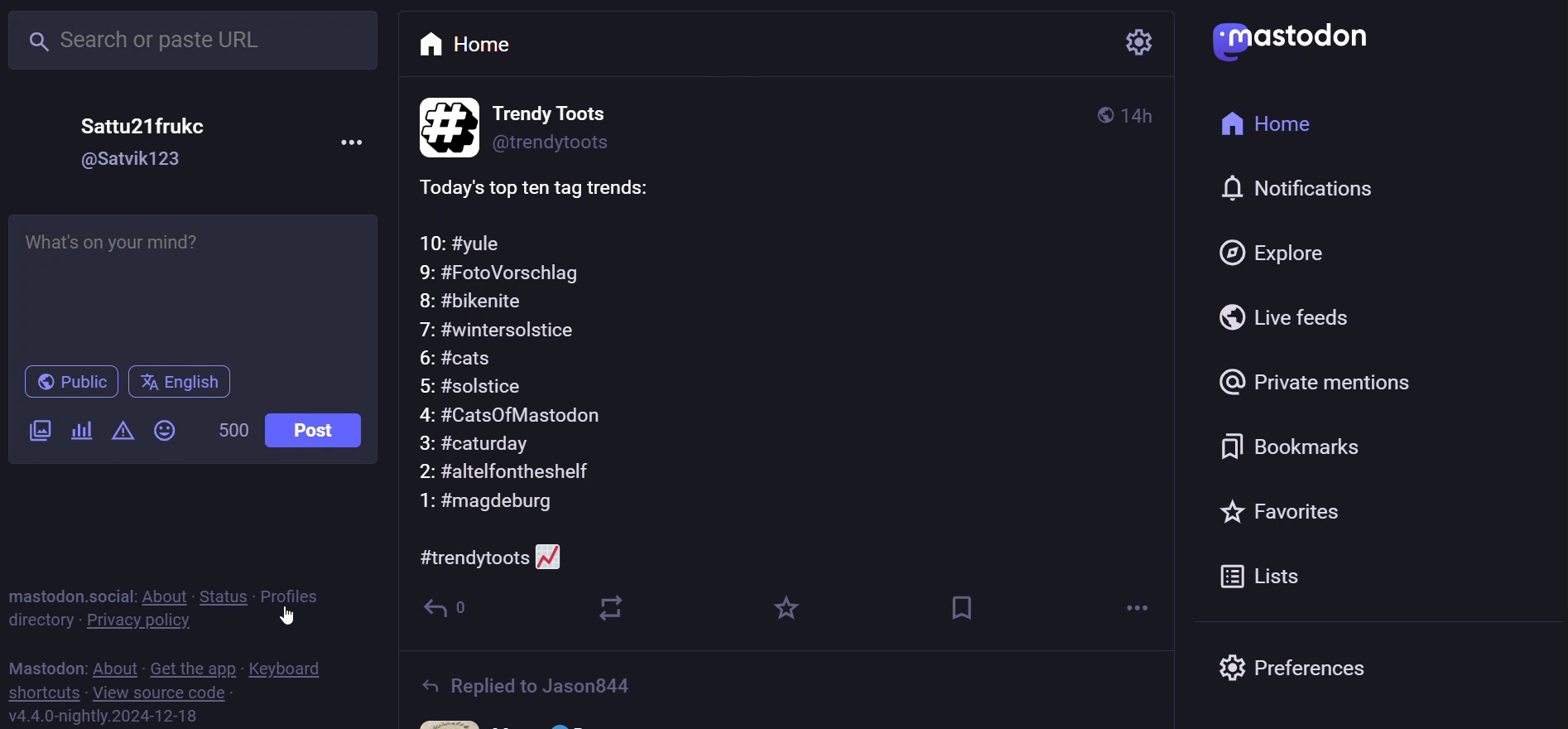 Image resolution: width=1568 pixels, height=729 pixels. Describe the element at coordinates (41, 695) in the screenshot. I see `shortcuts` at that location.